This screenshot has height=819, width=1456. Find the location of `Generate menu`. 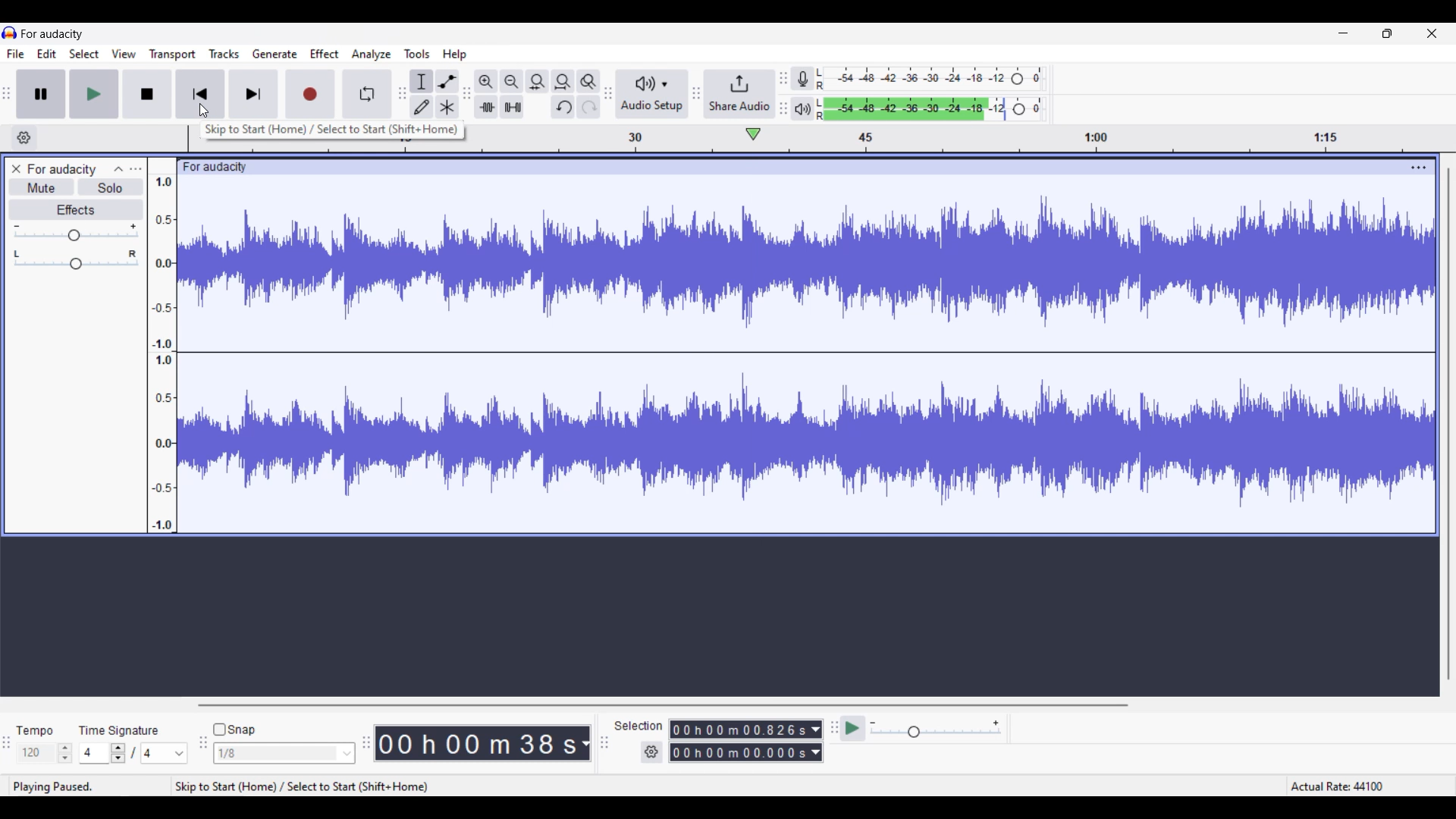

Generate menu is located at coordinates (275, 54).